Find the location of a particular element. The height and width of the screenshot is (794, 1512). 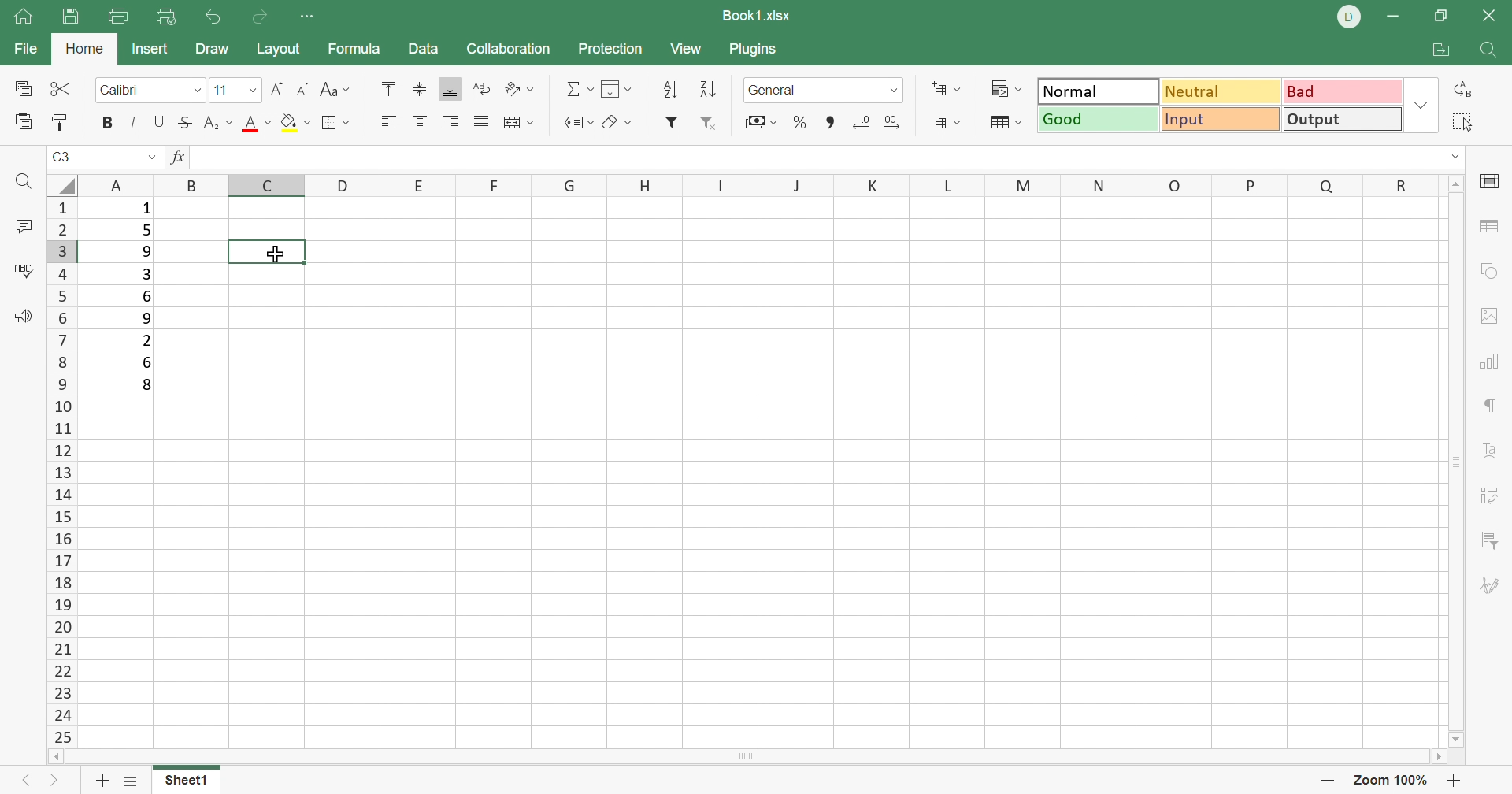

Align Middle is located at coordinates (415, 91).